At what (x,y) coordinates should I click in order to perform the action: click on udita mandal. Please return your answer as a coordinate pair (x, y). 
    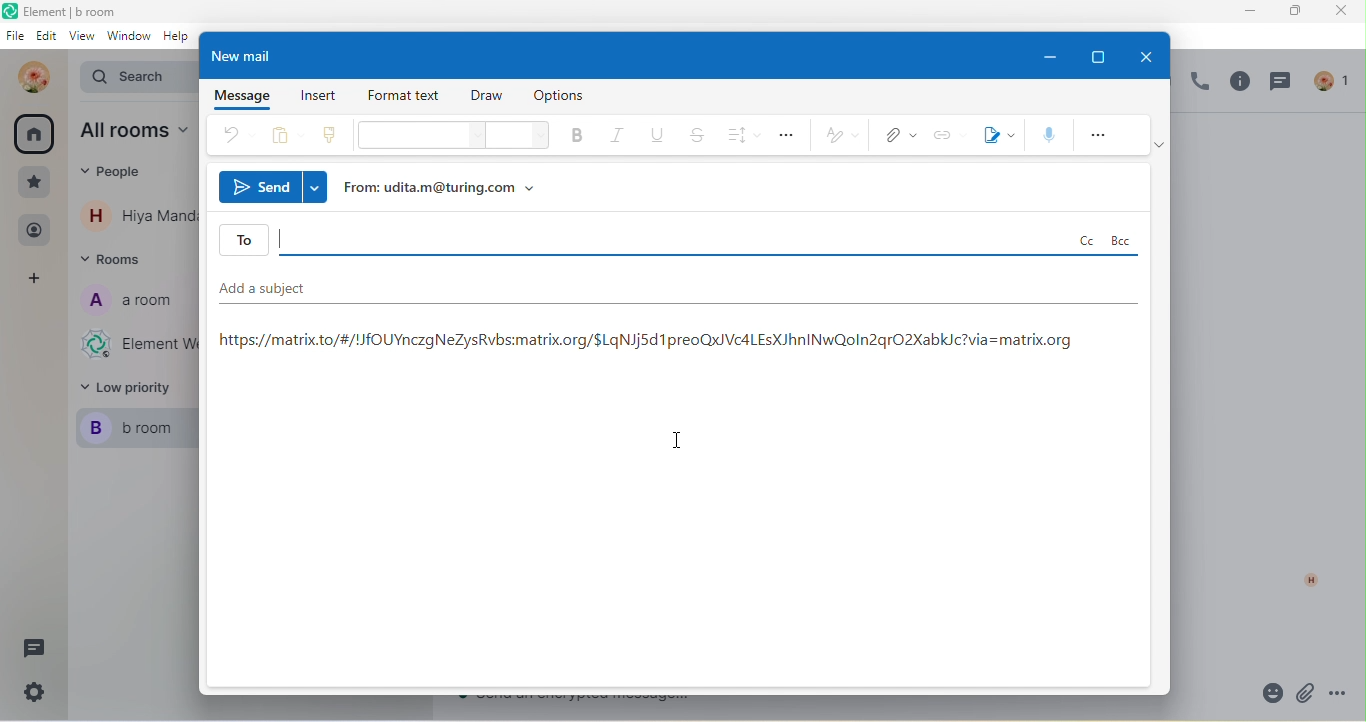
    Looking at the image, I should click on (29, 77).